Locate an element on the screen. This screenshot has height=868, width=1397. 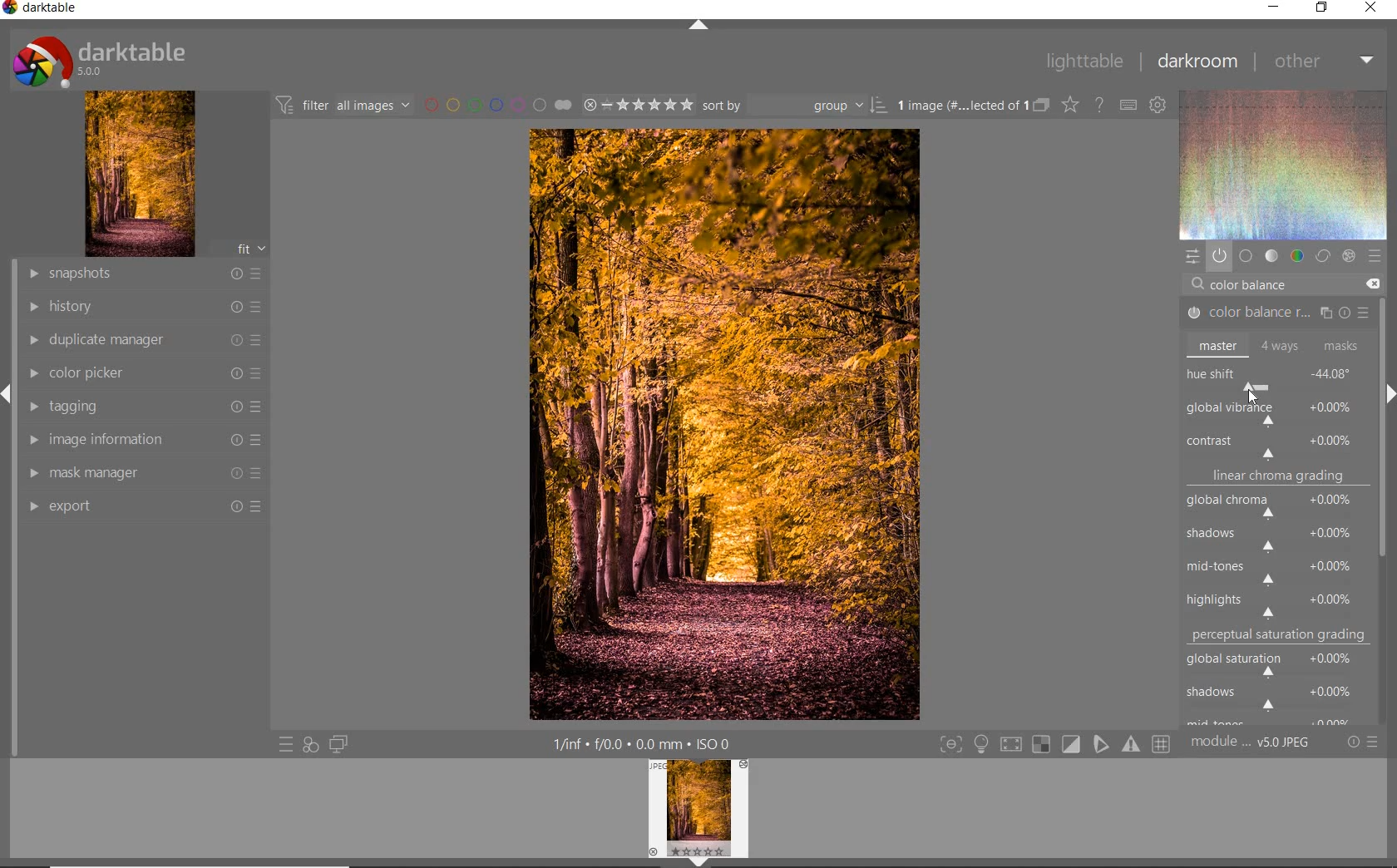
wave form is located at coordinates (1282, 165).